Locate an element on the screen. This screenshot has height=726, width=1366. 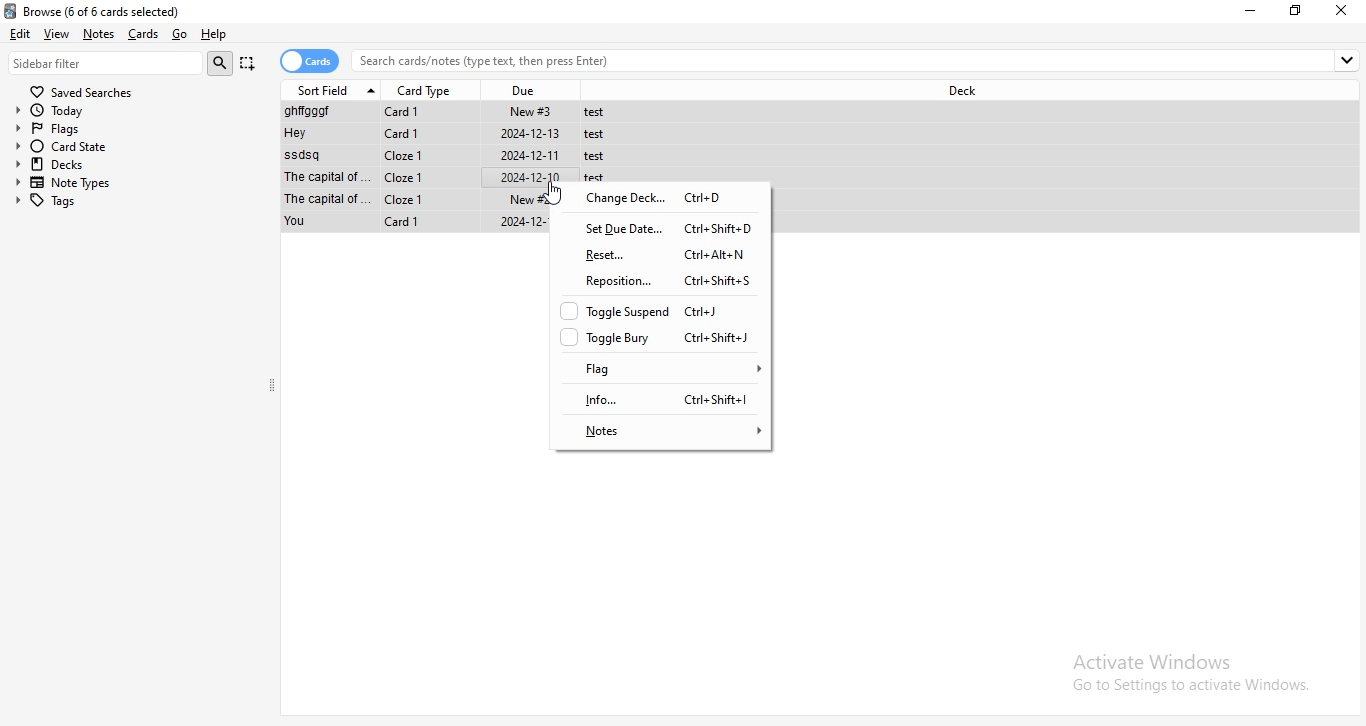
decks is located at coordinates (134, 164).